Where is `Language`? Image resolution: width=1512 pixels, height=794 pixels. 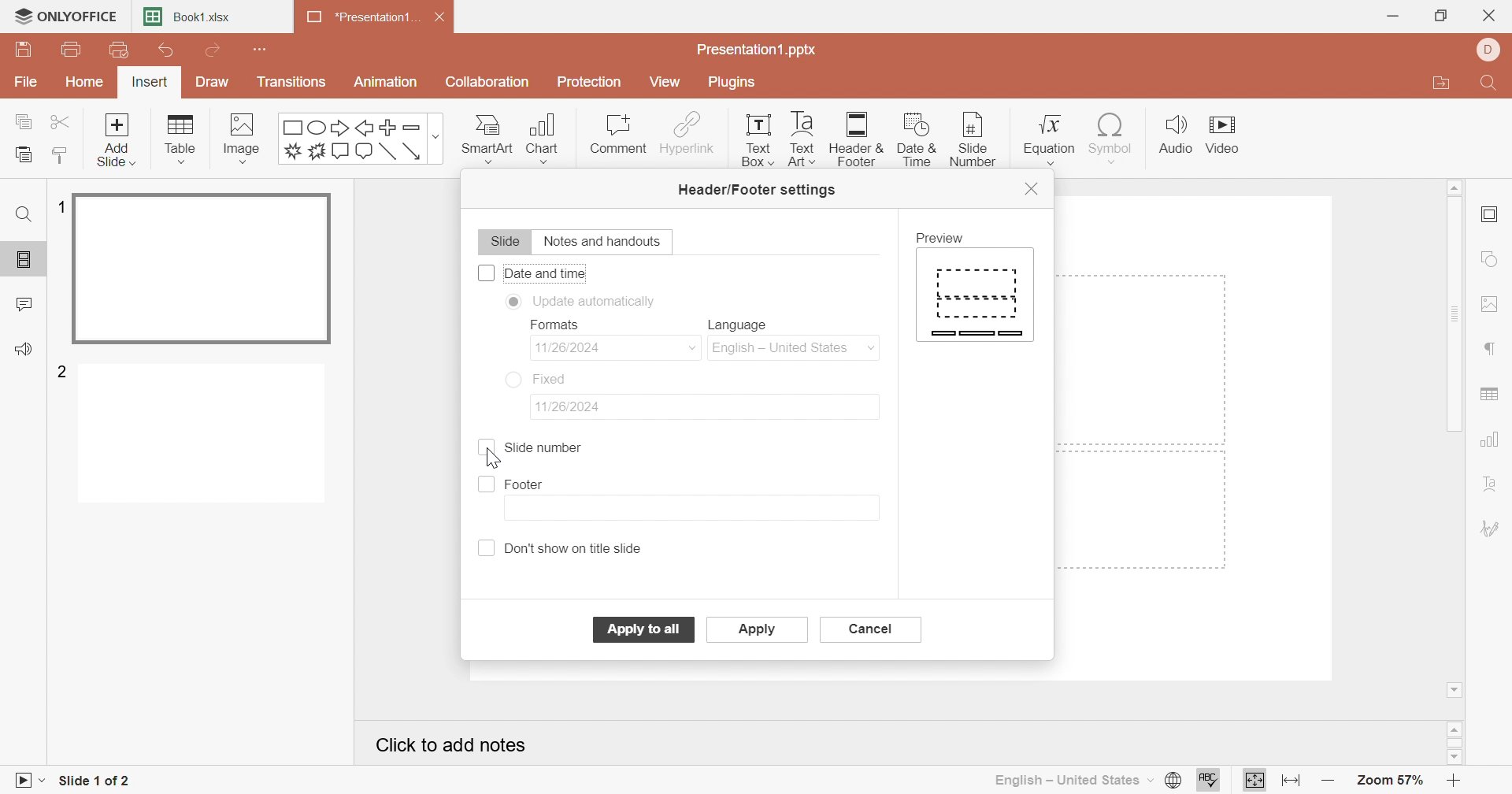
Language is located at coordinates (743, 325).